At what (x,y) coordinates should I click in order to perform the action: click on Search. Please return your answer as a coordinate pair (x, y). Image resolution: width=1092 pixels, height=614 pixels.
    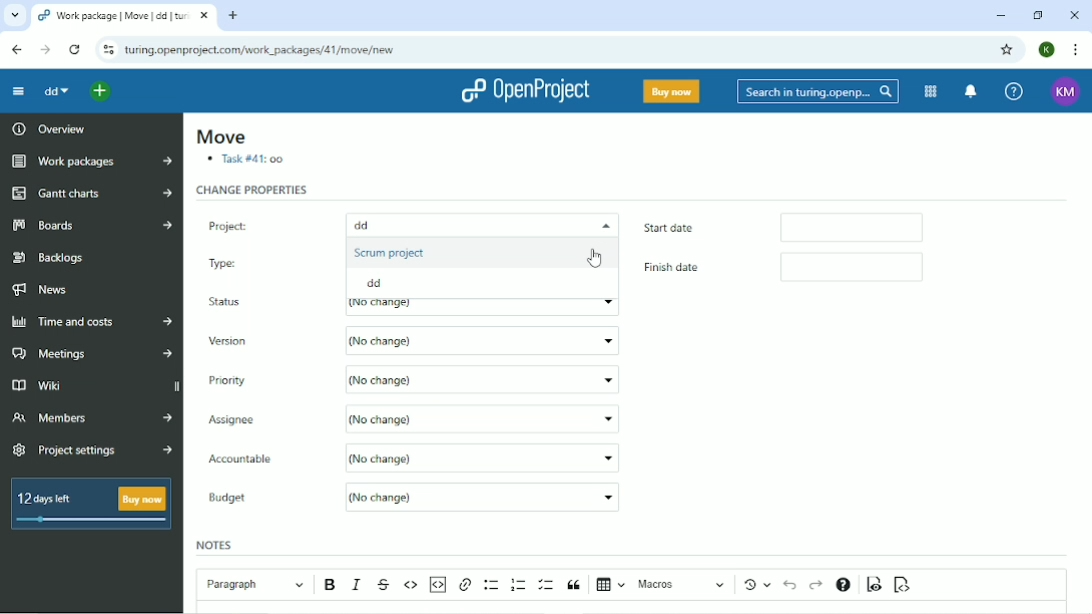
    Looking at the image, I should click on (818, 92).